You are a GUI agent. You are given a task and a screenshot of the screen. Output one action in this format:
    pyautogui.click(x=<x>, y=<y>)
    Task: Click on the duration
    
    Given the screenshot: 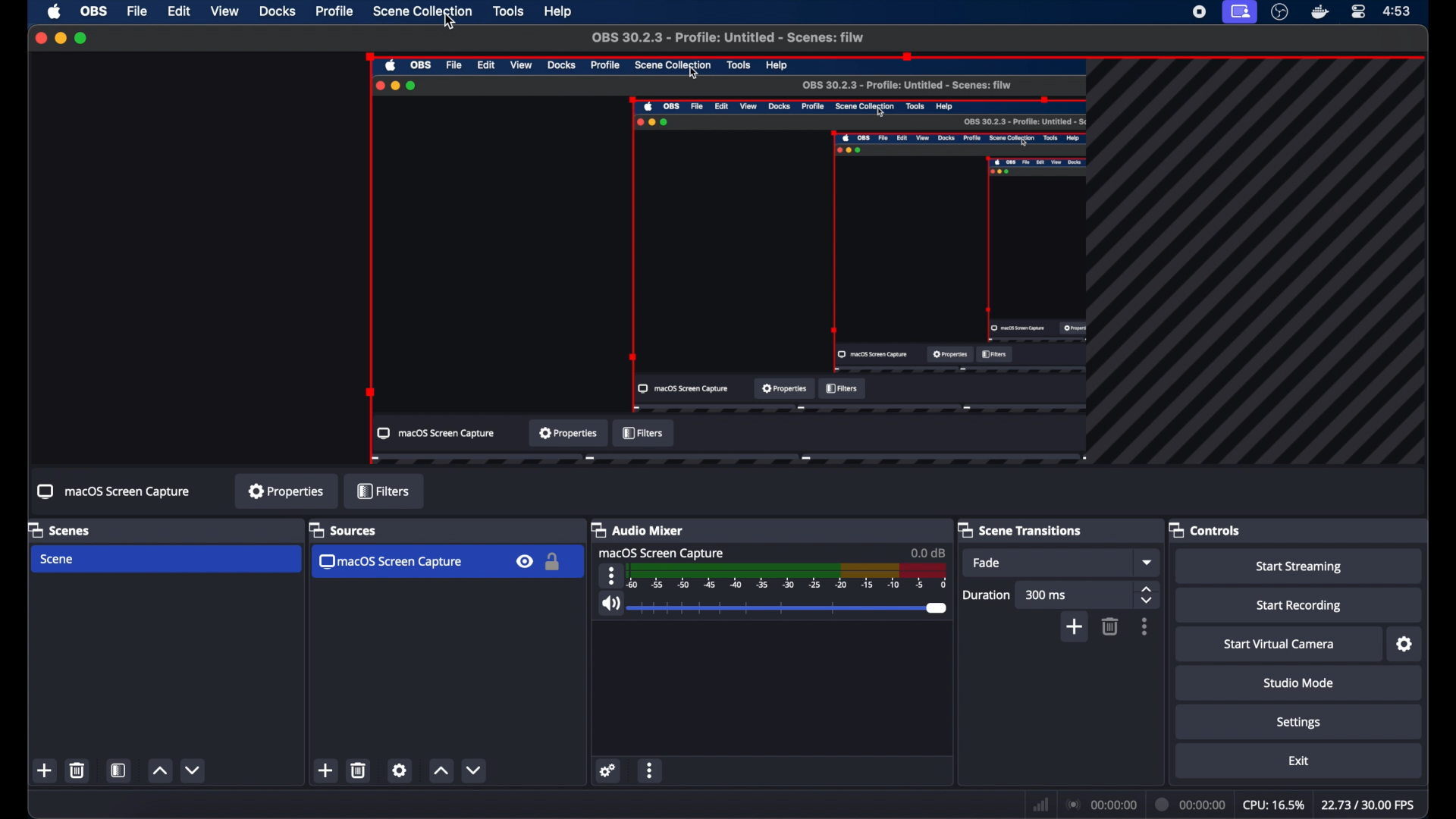 What is the action you would take?
    pyautogui.click(x=987, y=594)
    